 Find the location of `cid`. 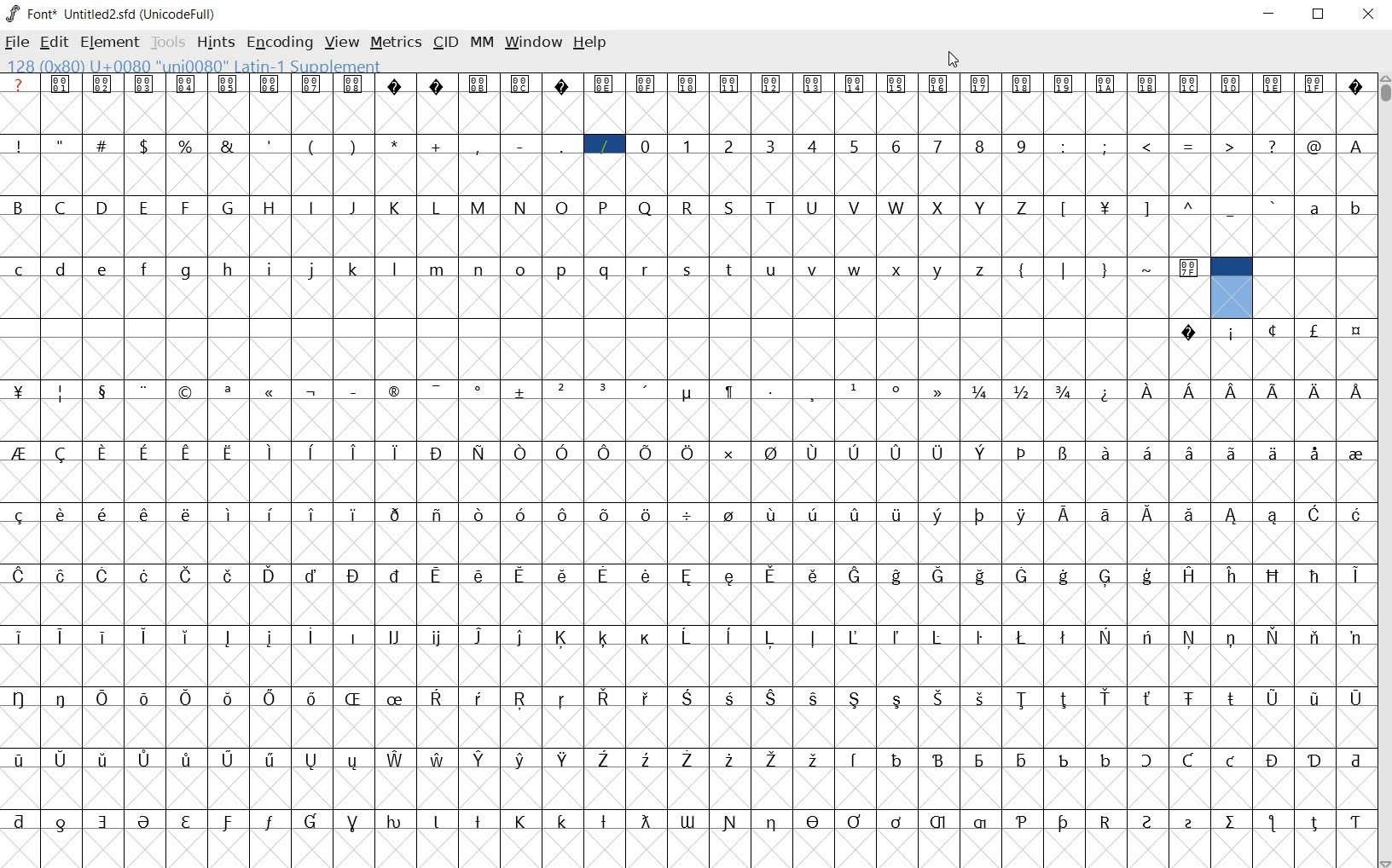

cid is located at coordinates (445, 43).